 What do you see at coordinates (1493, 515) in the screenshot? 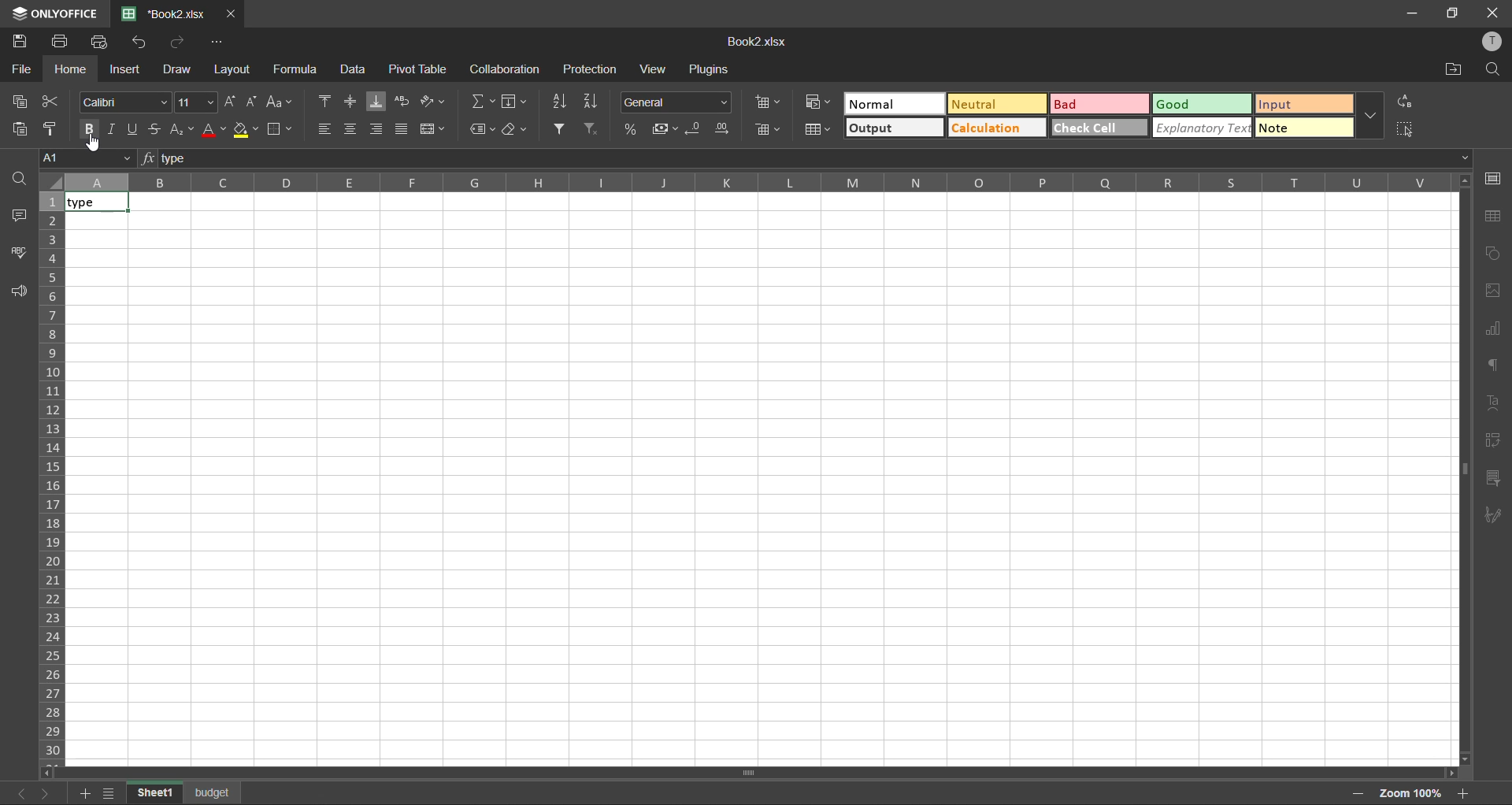
I see `signature` at bounding box center [1493, 515].